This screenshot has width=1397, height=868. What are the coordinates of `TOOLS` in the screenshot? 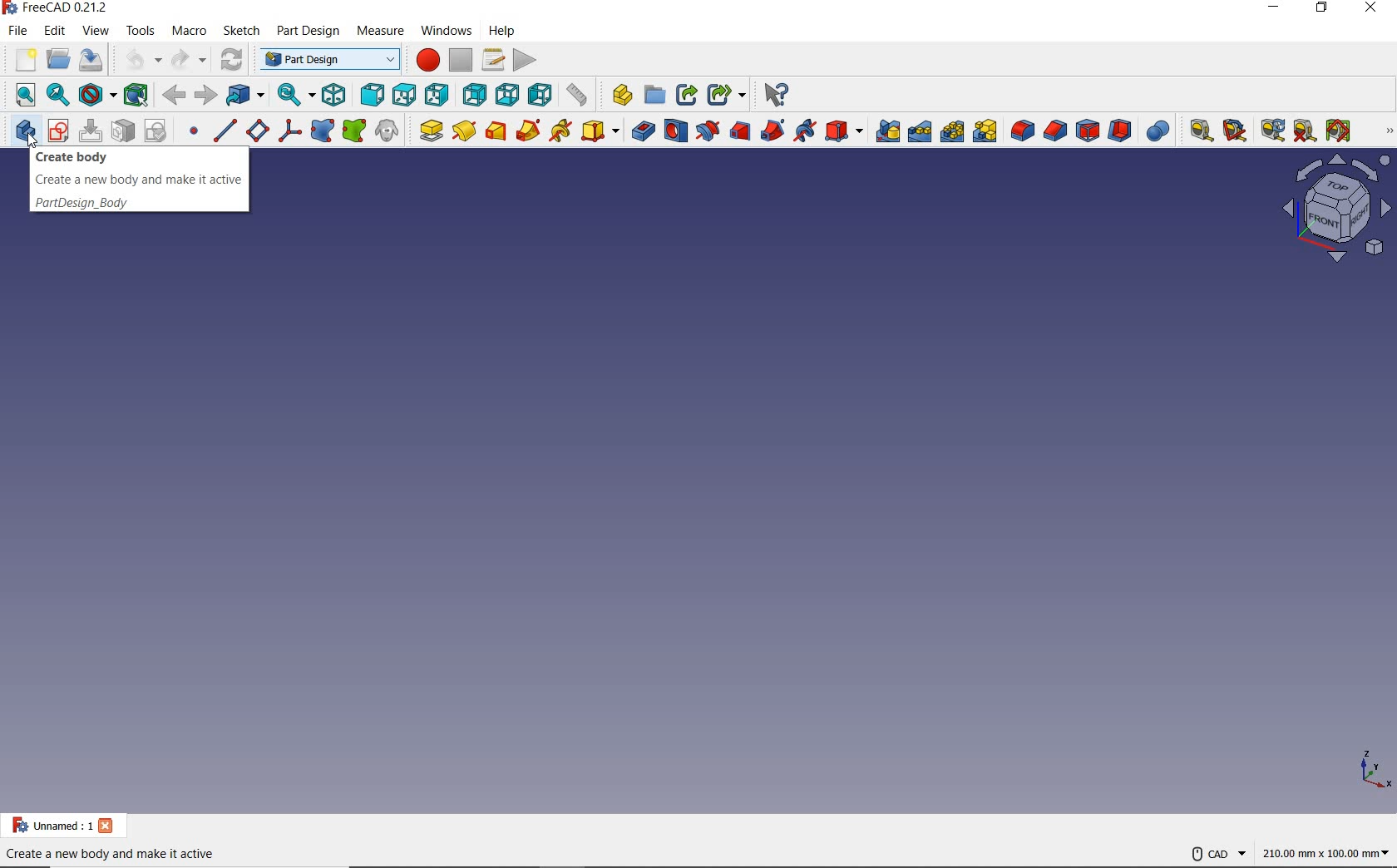 It's located at (141, 29).